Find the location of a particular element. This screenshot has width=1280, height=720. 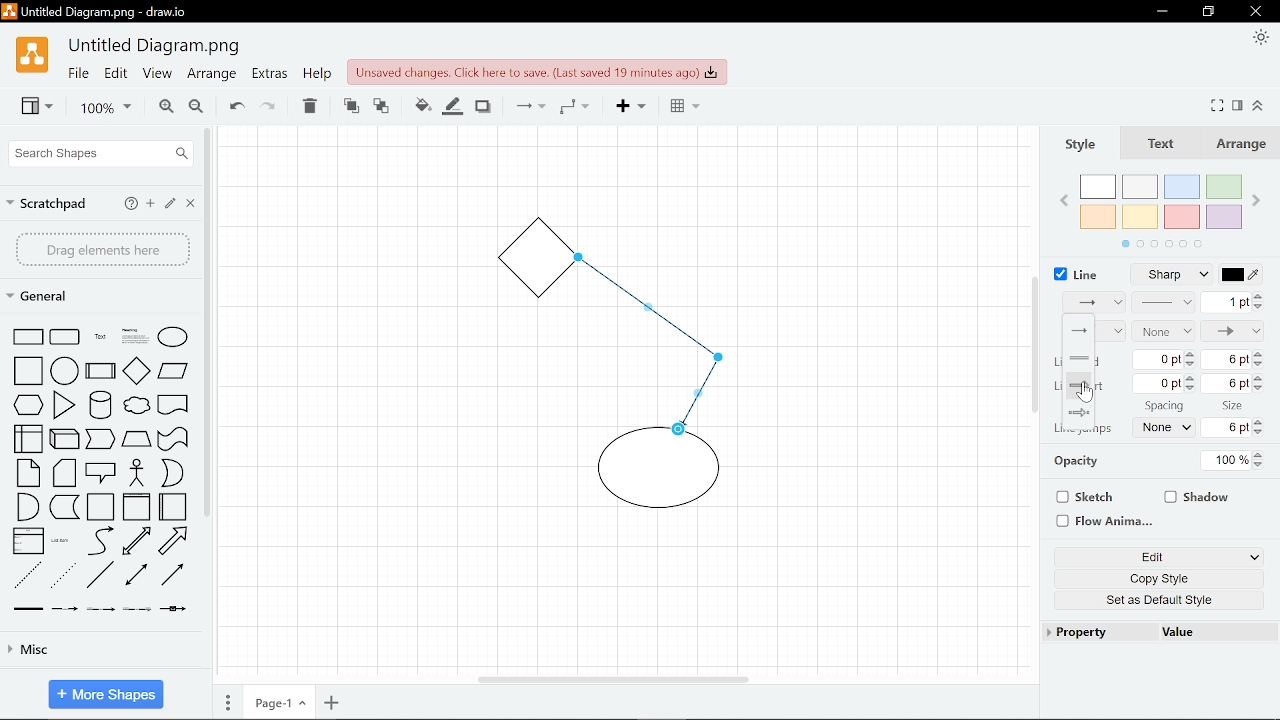

Sharp is located at coordinates (1176, 275).